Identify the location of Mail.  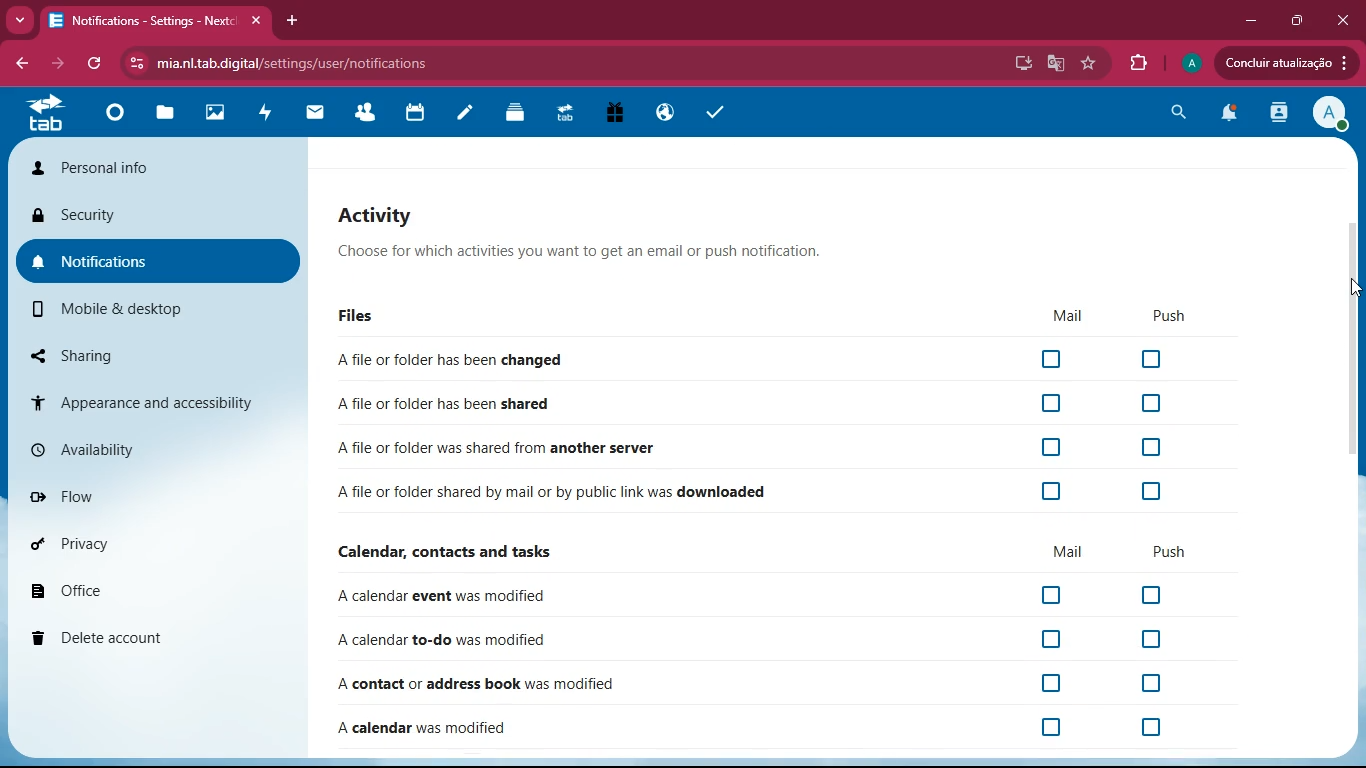
(1058, 315).